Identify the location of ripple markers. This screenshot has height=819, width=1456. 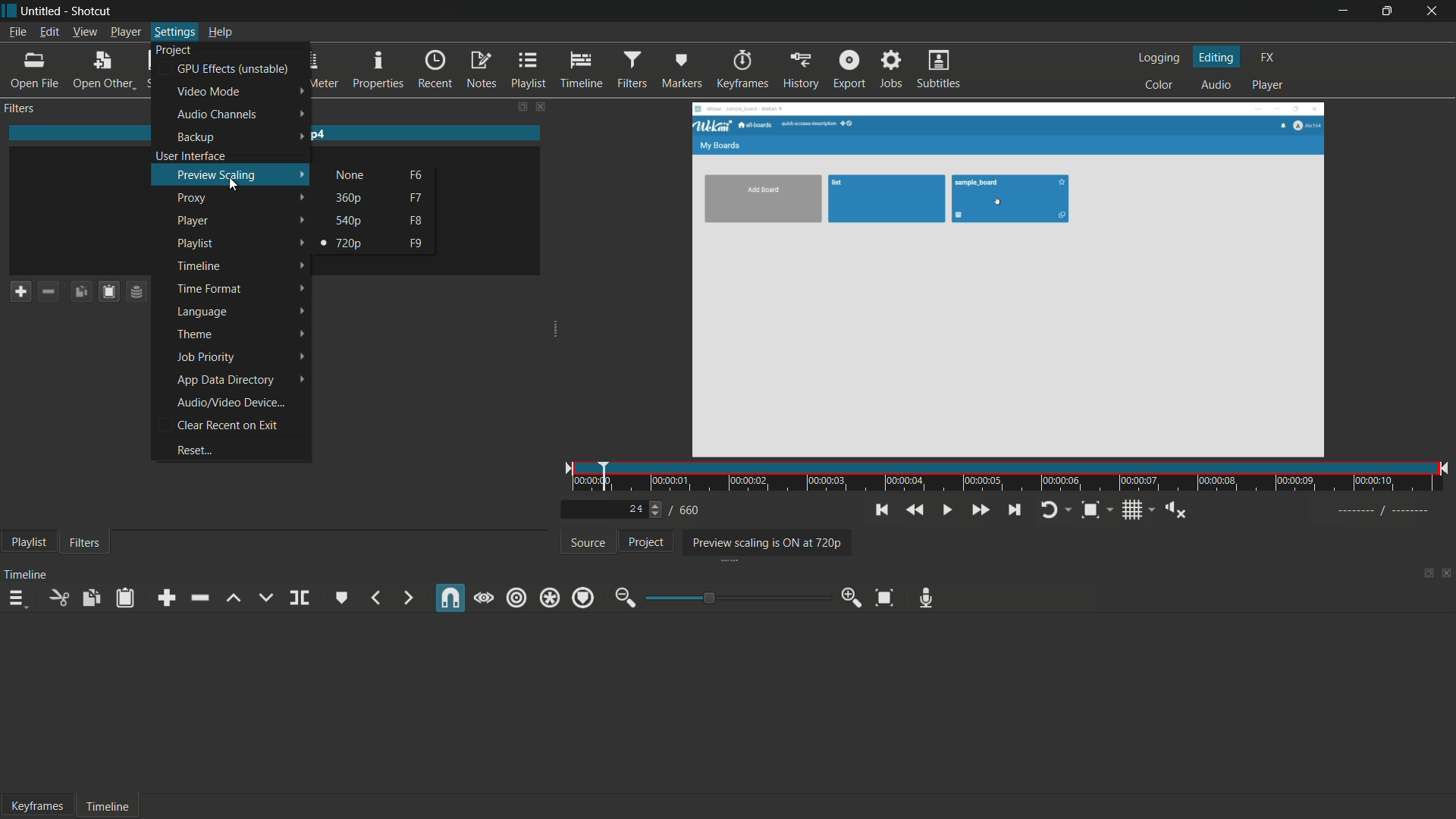
(583, 598).